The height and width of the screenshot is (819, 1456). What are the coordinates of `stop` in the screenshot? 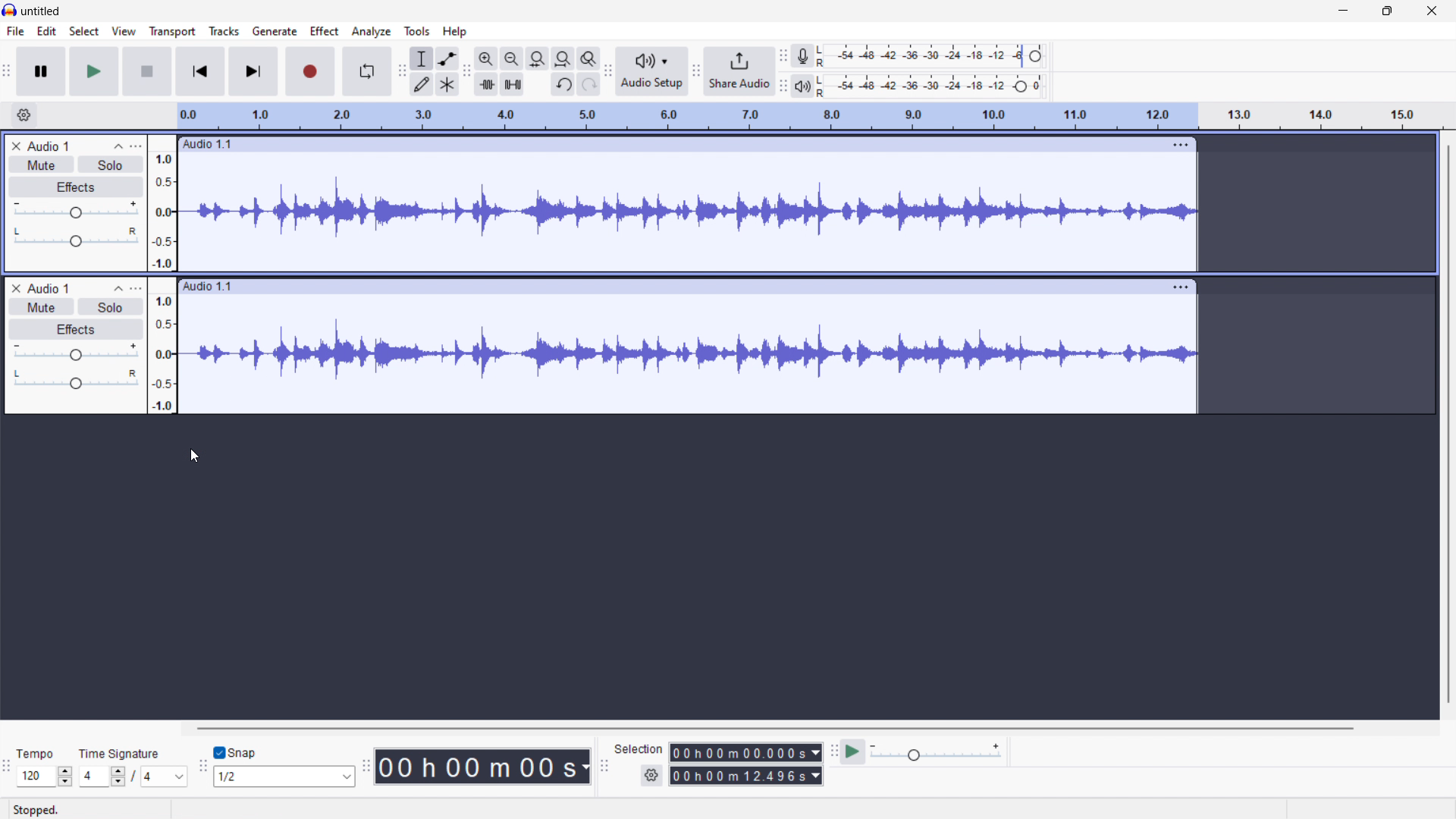 It's located at (147, 71).